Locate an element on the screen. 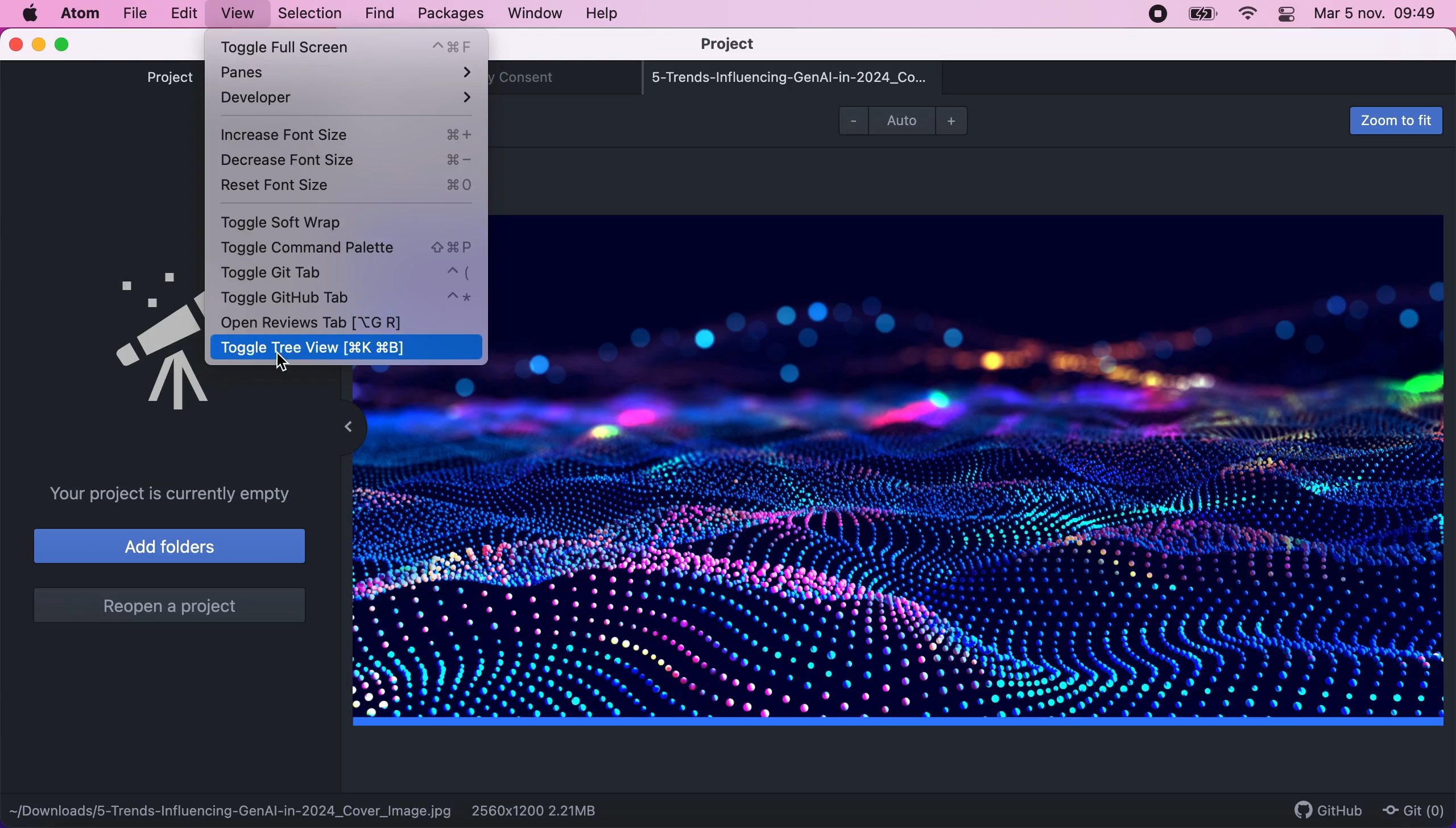  reopen a project is located at coordinates (174, 606).